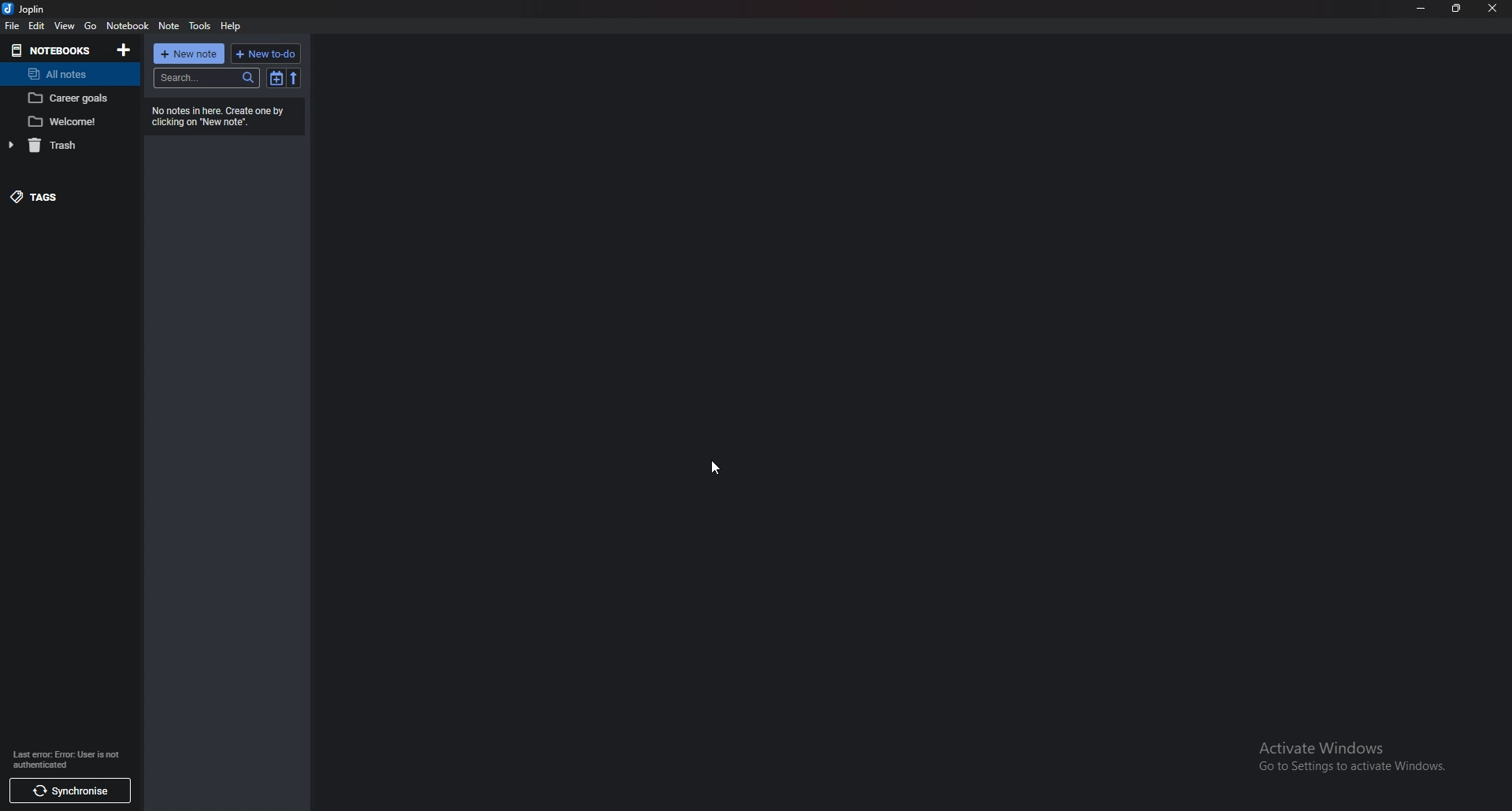 The height and width of the screenshot is (811, 1512). Describe the element at coordinates (73, 195) in the screenshot. I see `tags` at that location.